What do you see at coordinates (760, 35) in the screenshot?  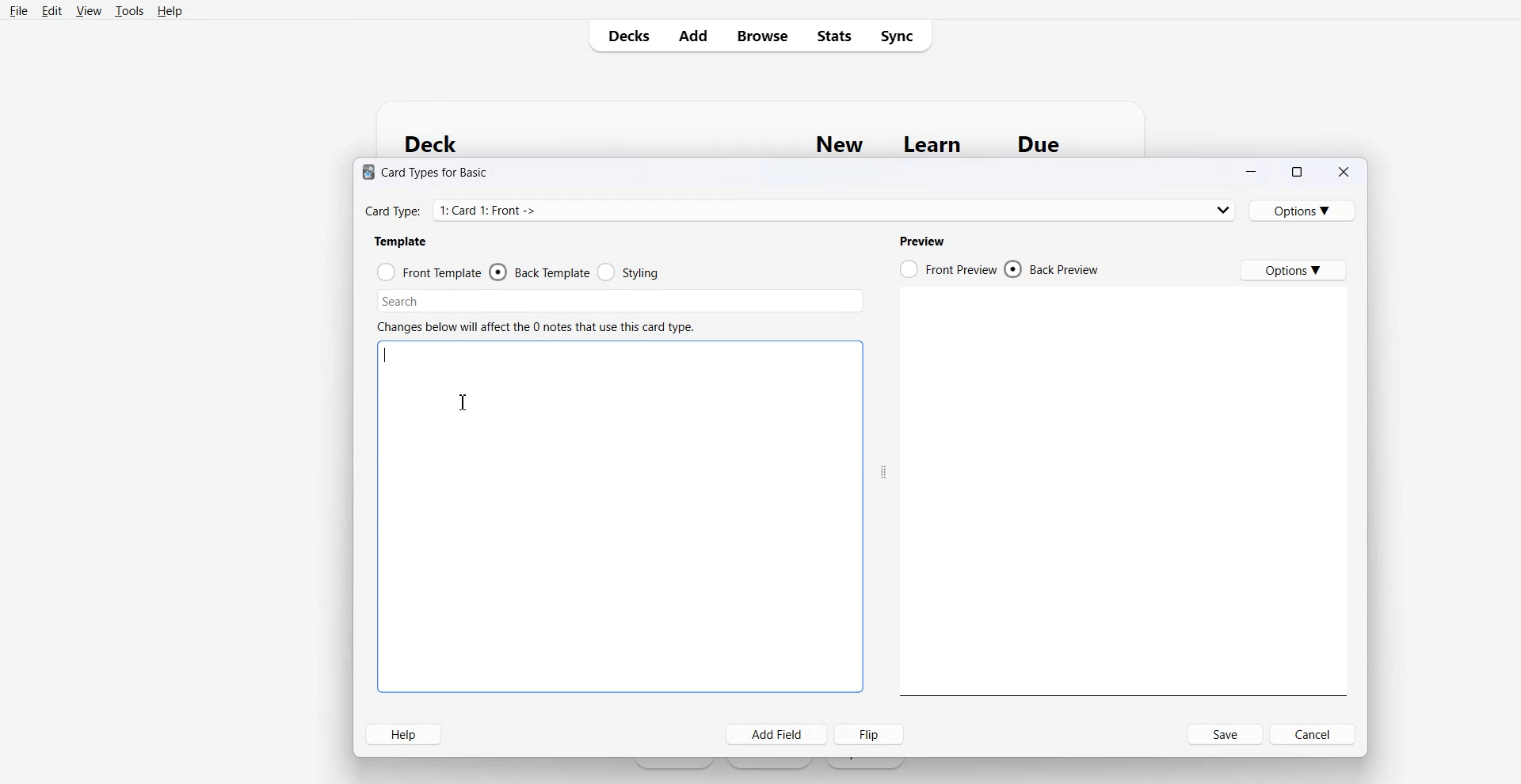 I see `Browse` at bounding box center [760, 35].